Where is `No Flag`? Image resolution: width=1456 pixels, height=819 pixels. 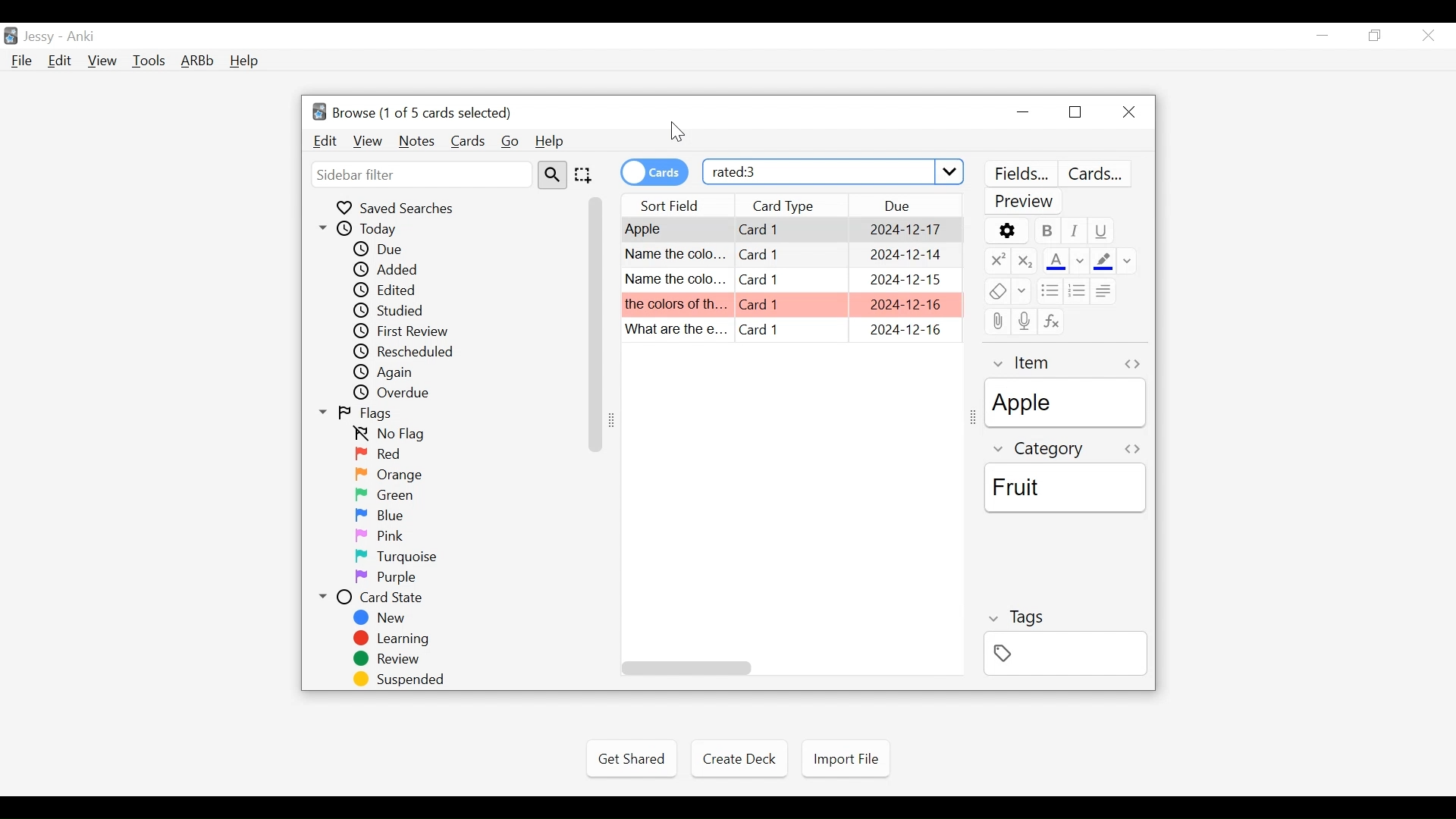
No Flag is located at coordinates (395, 435).